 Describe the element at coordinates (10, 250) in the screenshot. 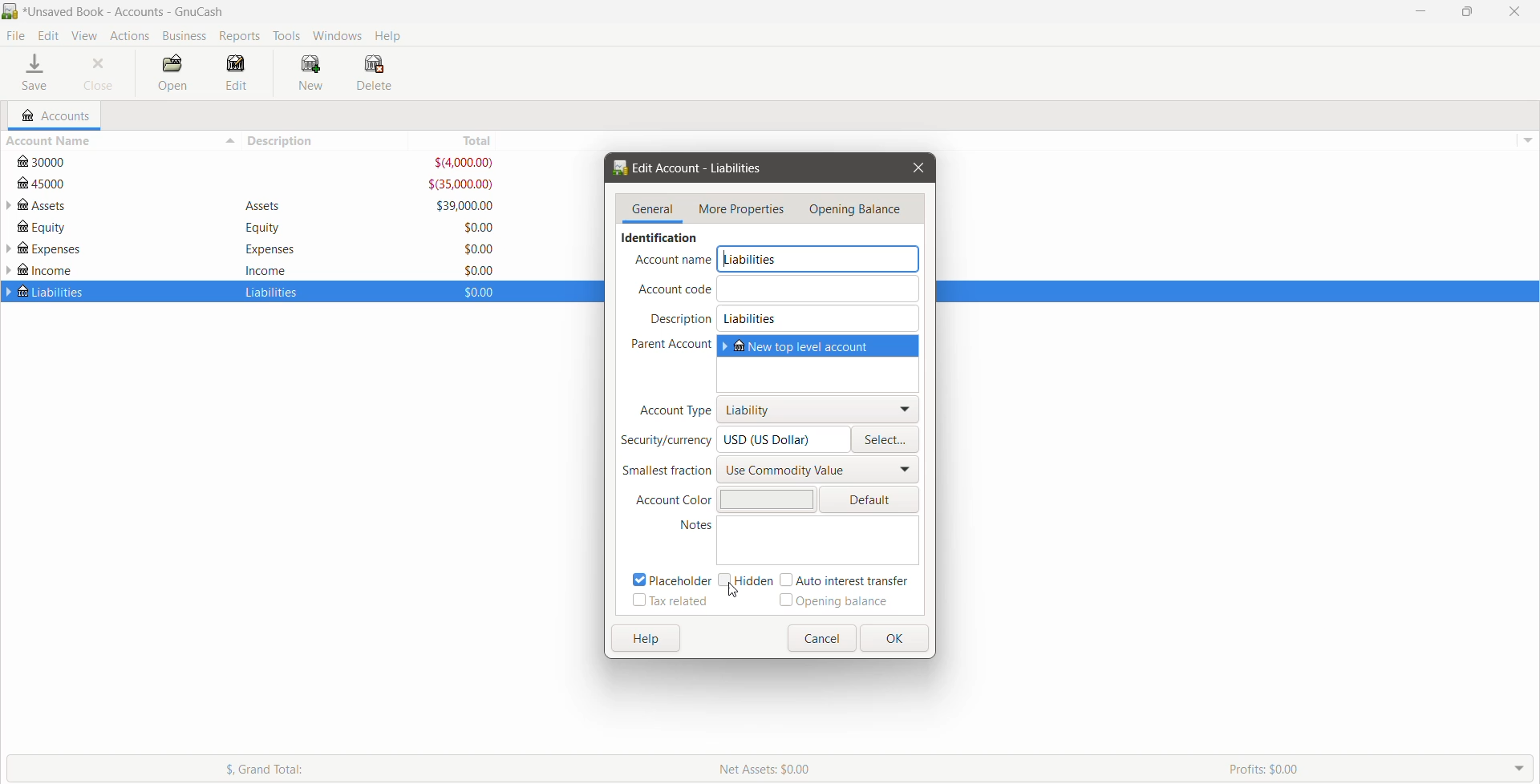

I see `expand subaccounts` at that location.